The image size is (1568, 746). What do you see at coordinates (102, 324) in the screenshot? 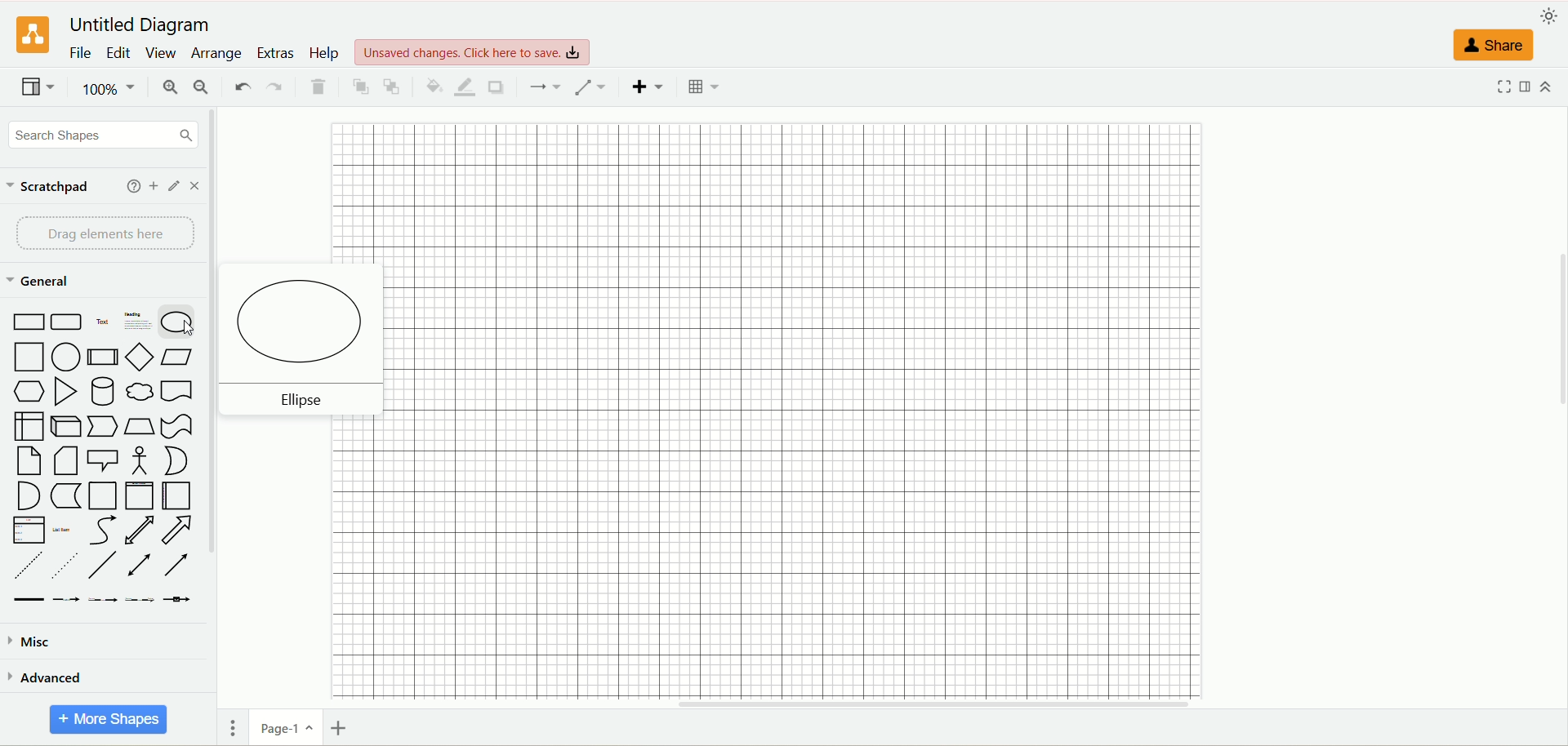
I see `text` at bounding box center [102, 324].